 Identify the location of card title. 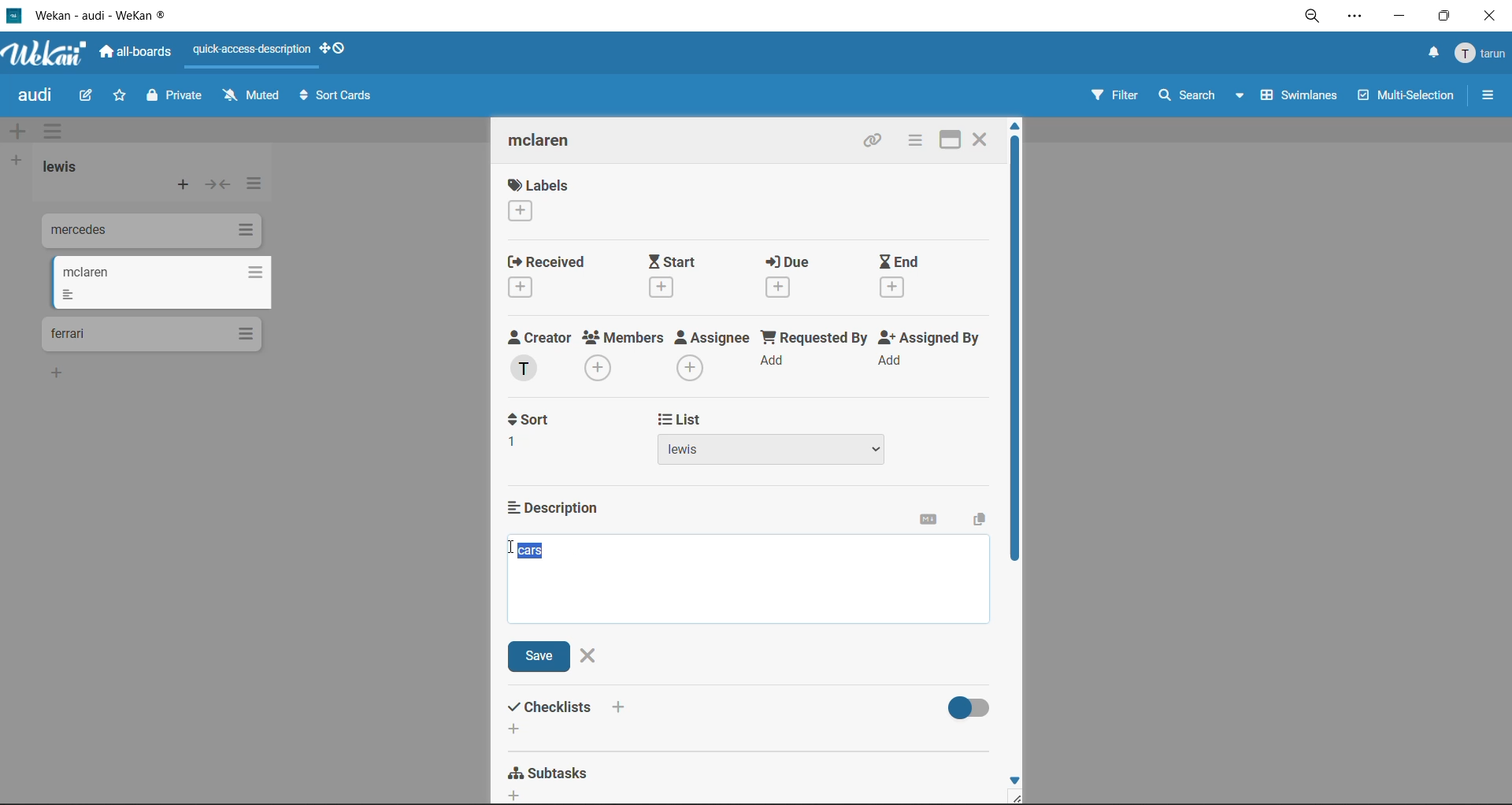
(553, 143).